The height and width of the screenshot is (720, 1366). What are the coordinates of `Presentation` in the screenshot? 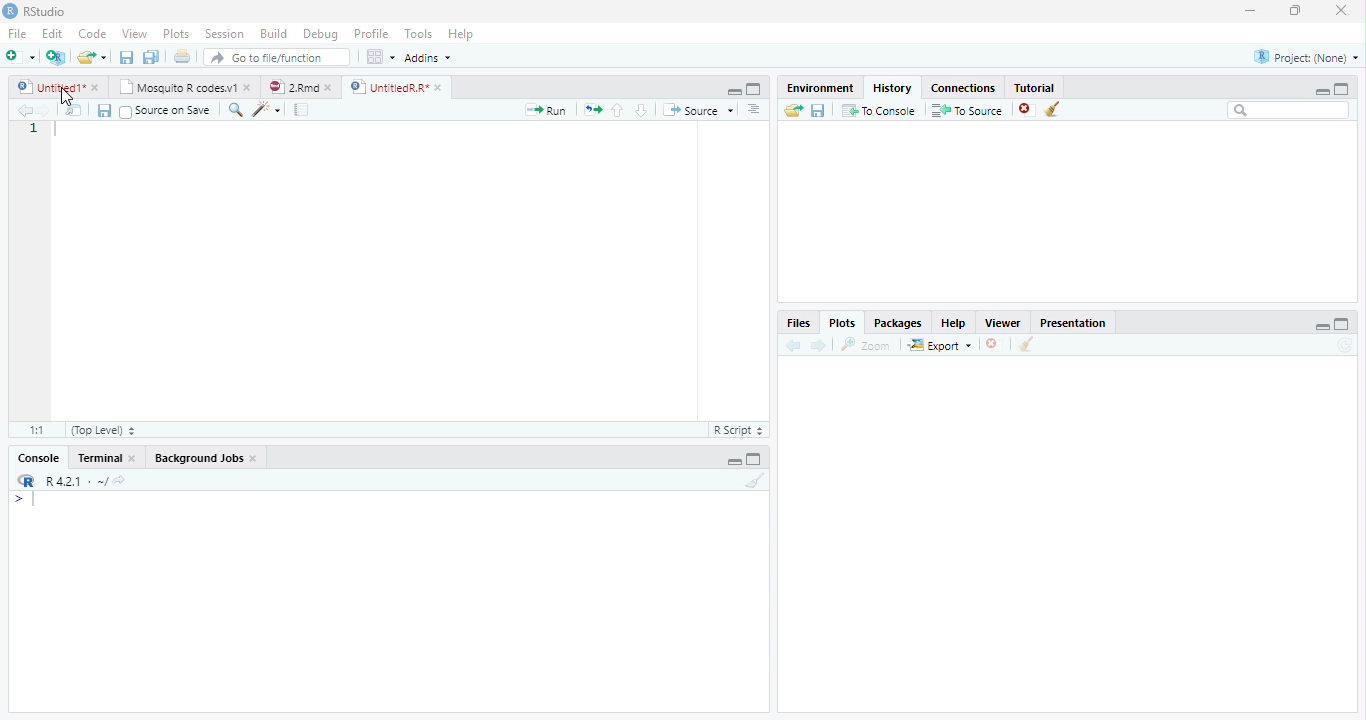 It's located at (1074, 324).